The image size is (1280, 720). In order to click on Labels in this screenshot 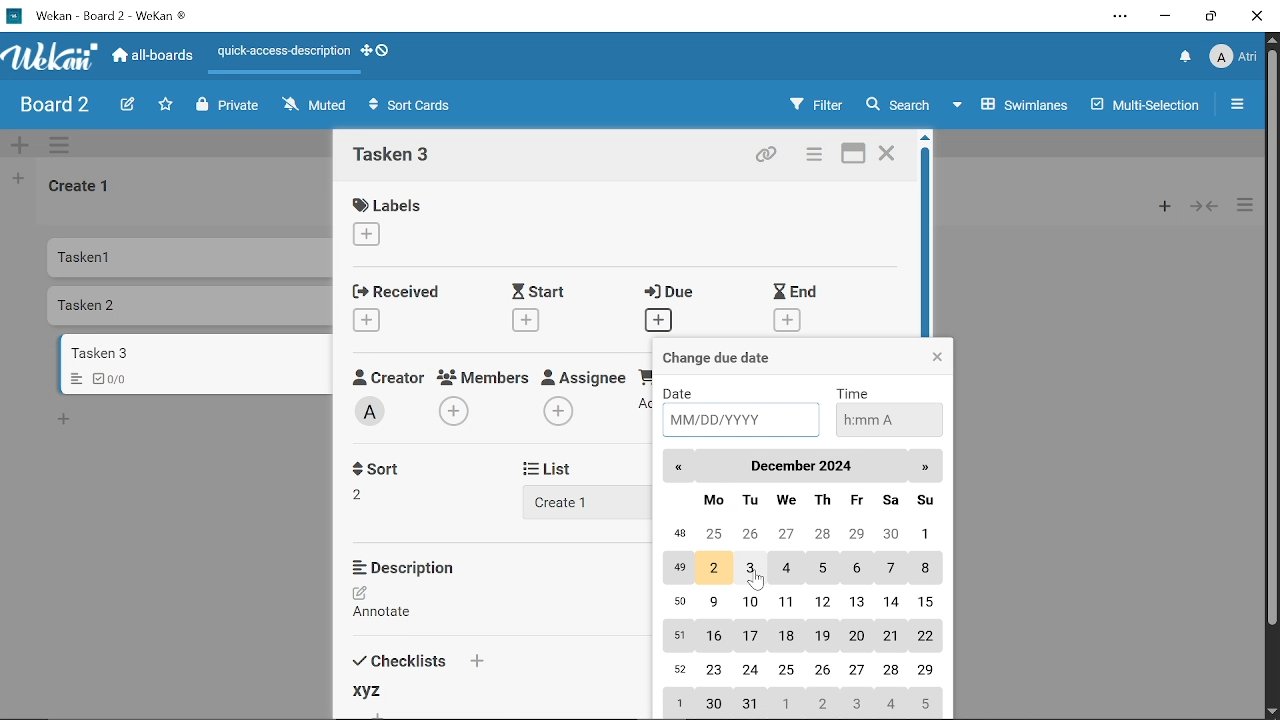, I will do `click(392, 204)`.